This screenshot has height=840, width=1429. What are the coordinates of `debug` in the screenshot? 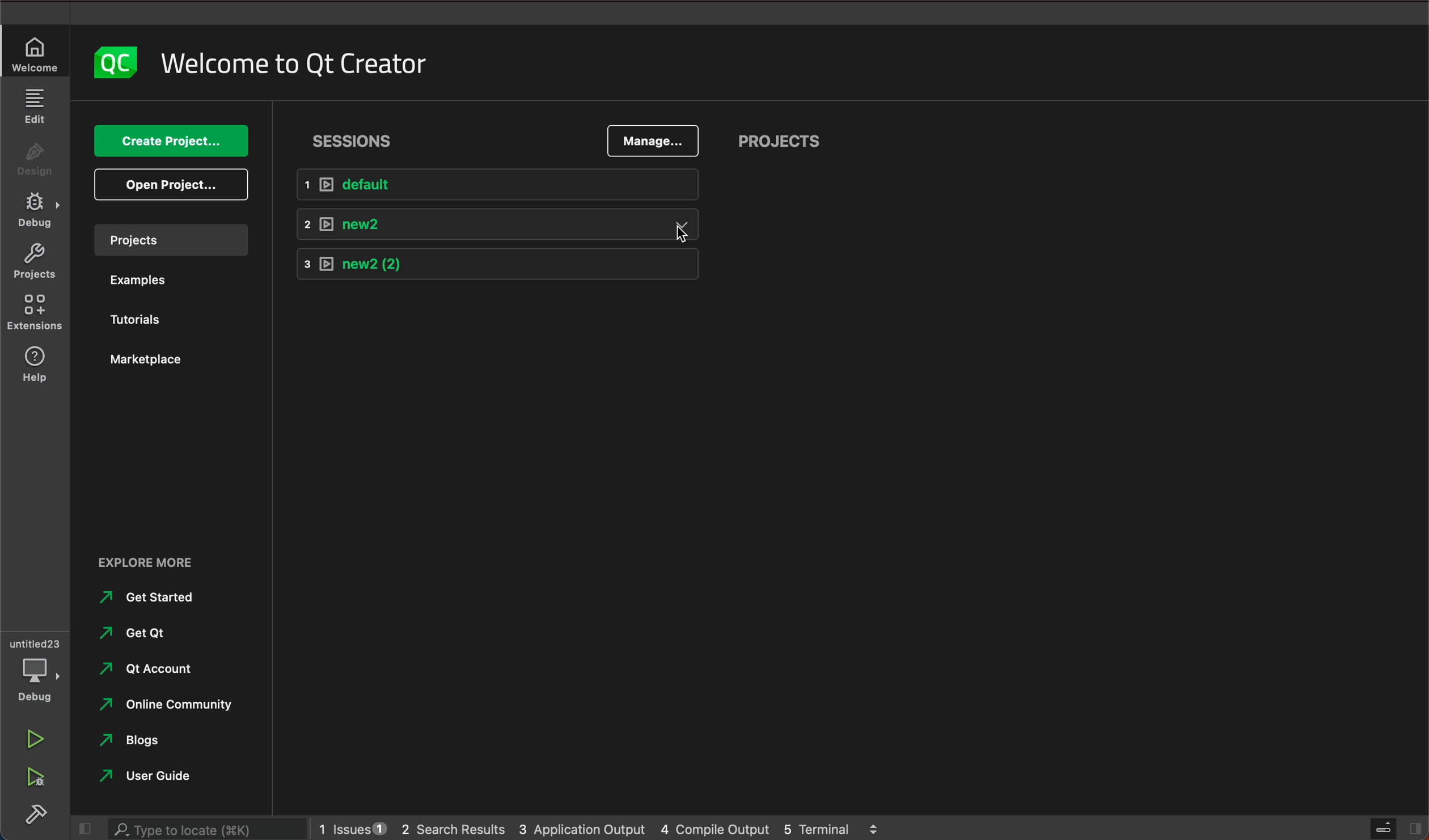 It's located at (35, 211).